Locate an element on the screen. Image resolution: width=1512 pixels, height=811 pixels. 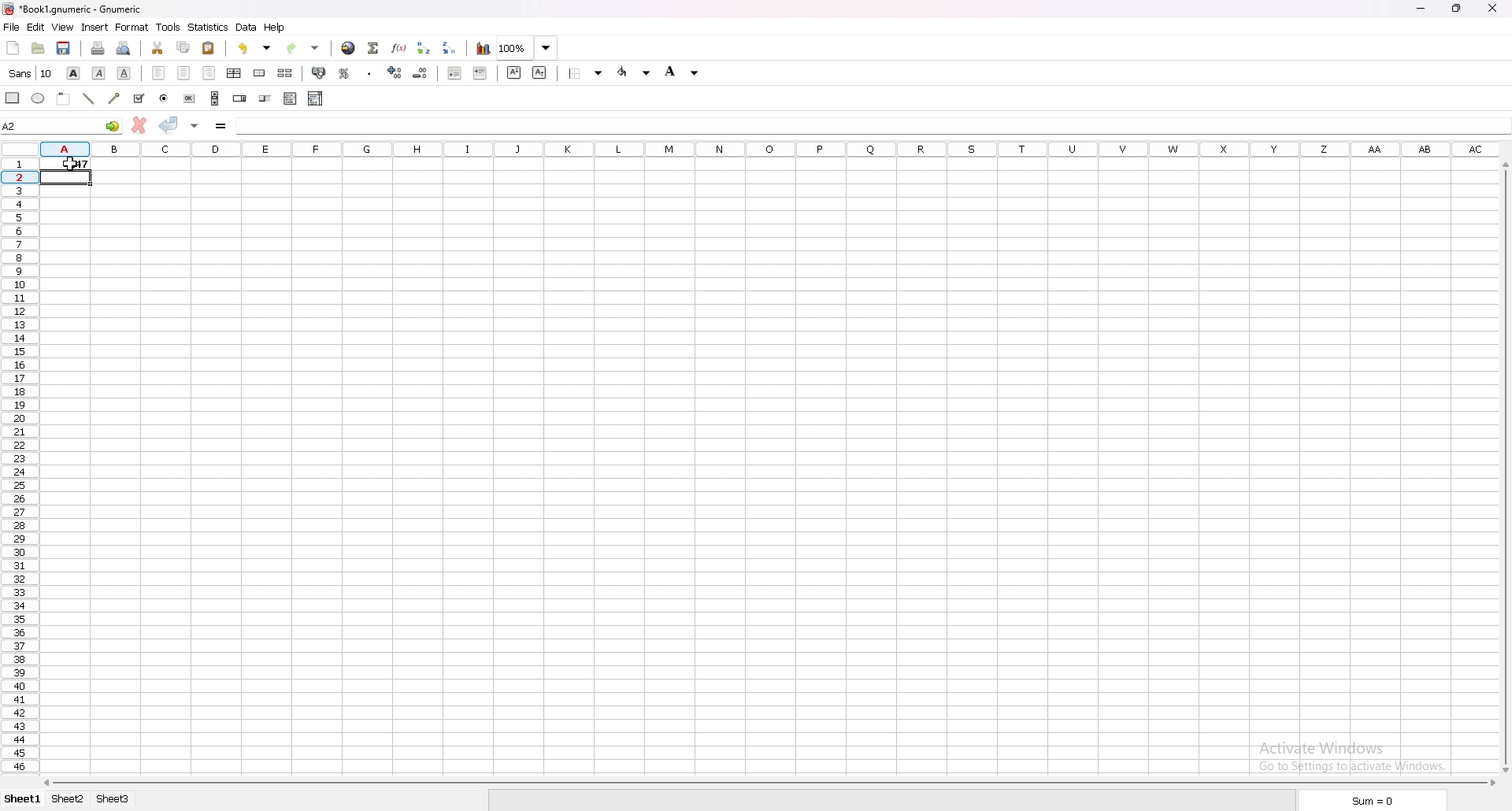
radio button is located at coordinates (164, 98).